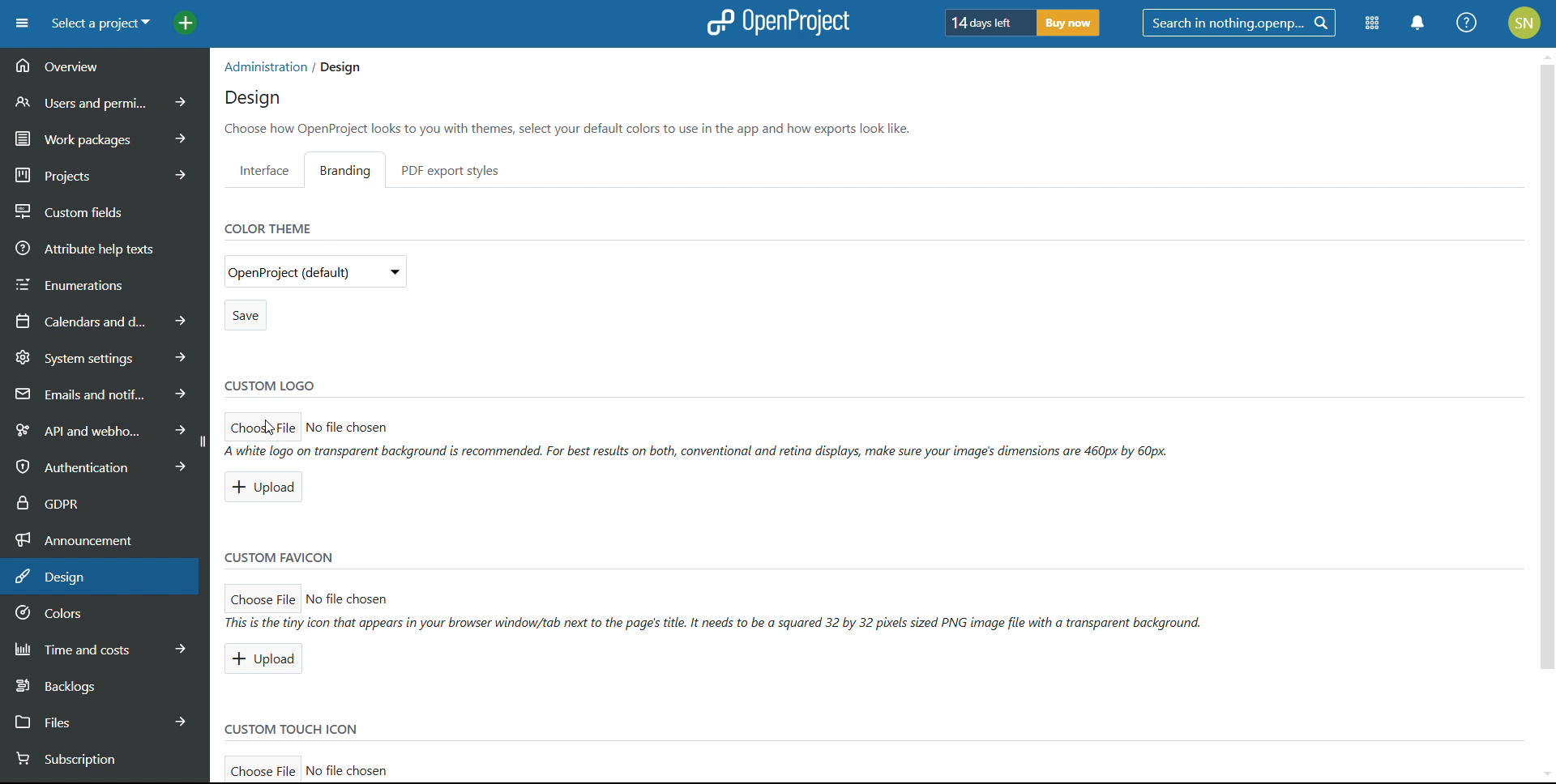  I want to click on projects, so click(105, 173).